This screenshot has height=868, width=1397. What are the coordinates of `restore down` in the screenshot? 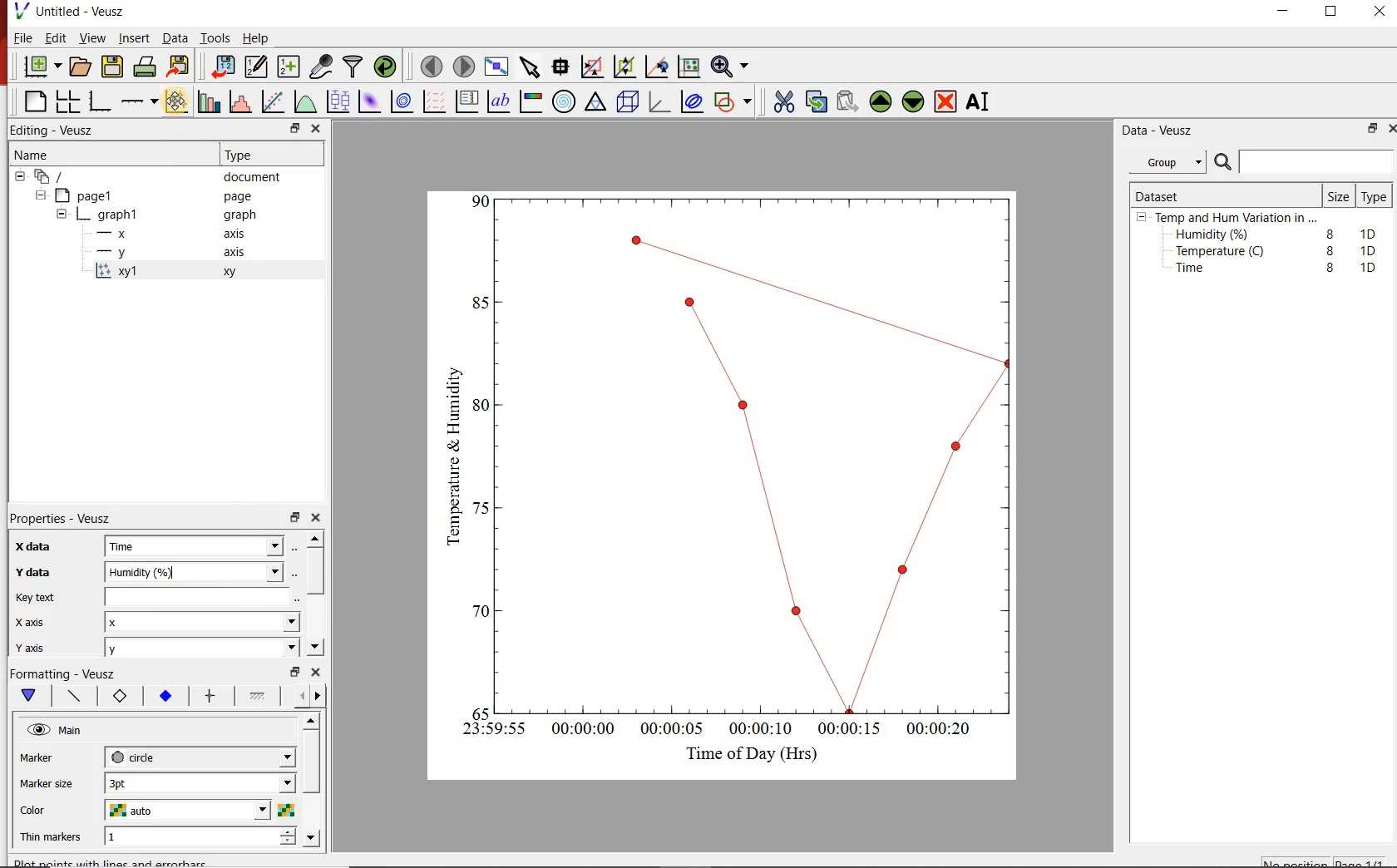 It's located at (1369, 131).